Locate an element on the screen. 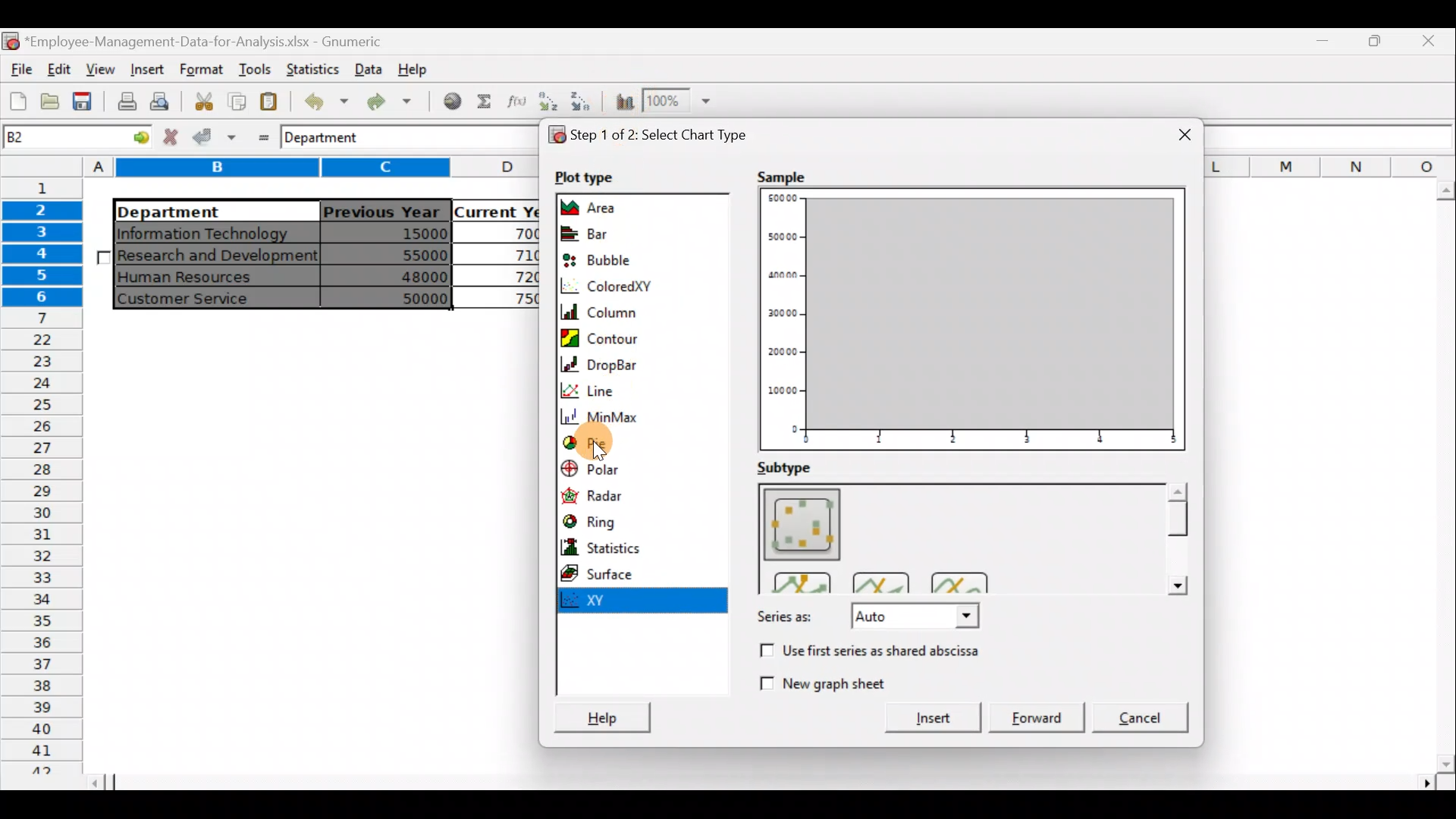  |Information Technology is located at coordinates (215, 233).